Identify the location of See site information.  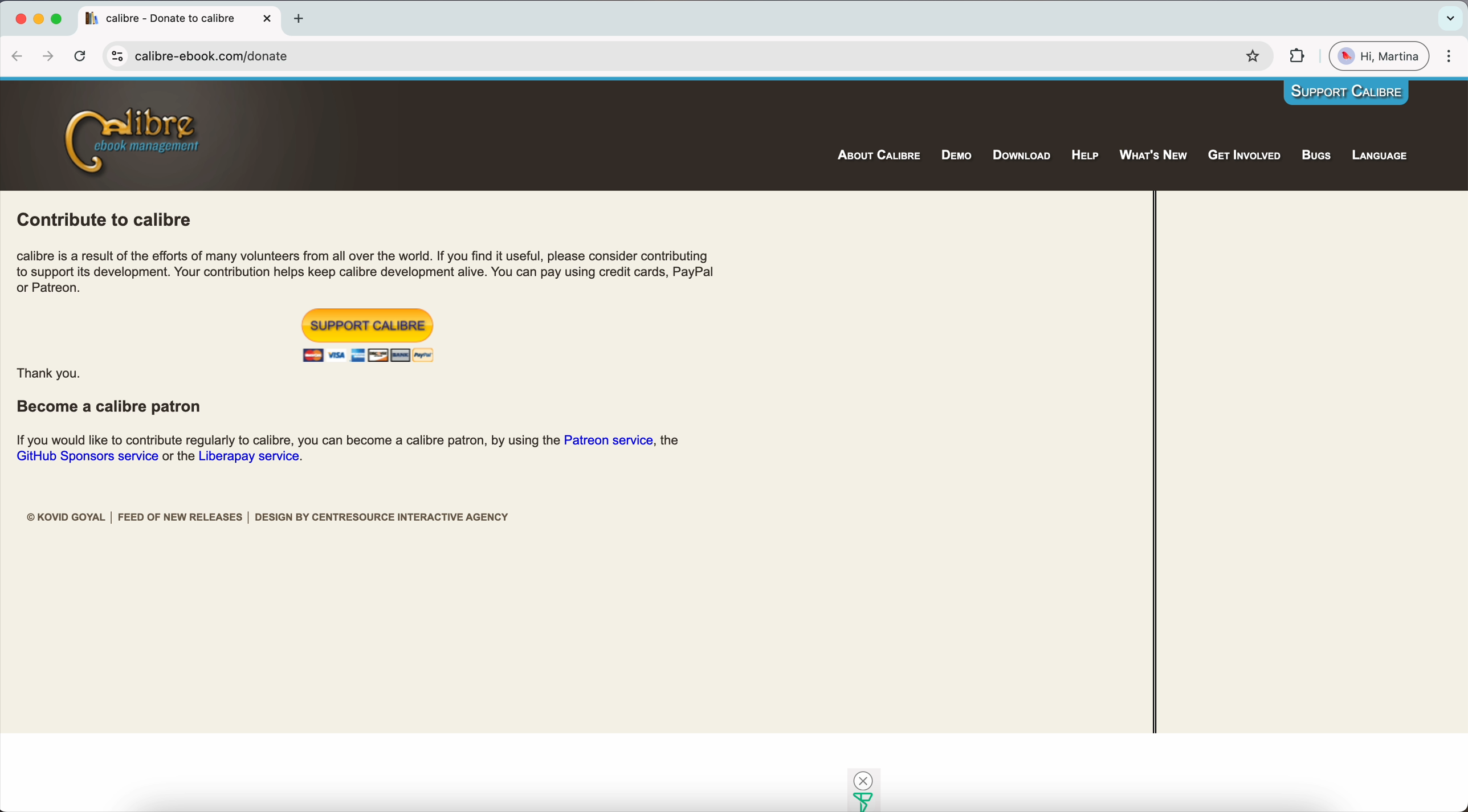
(116, 56).